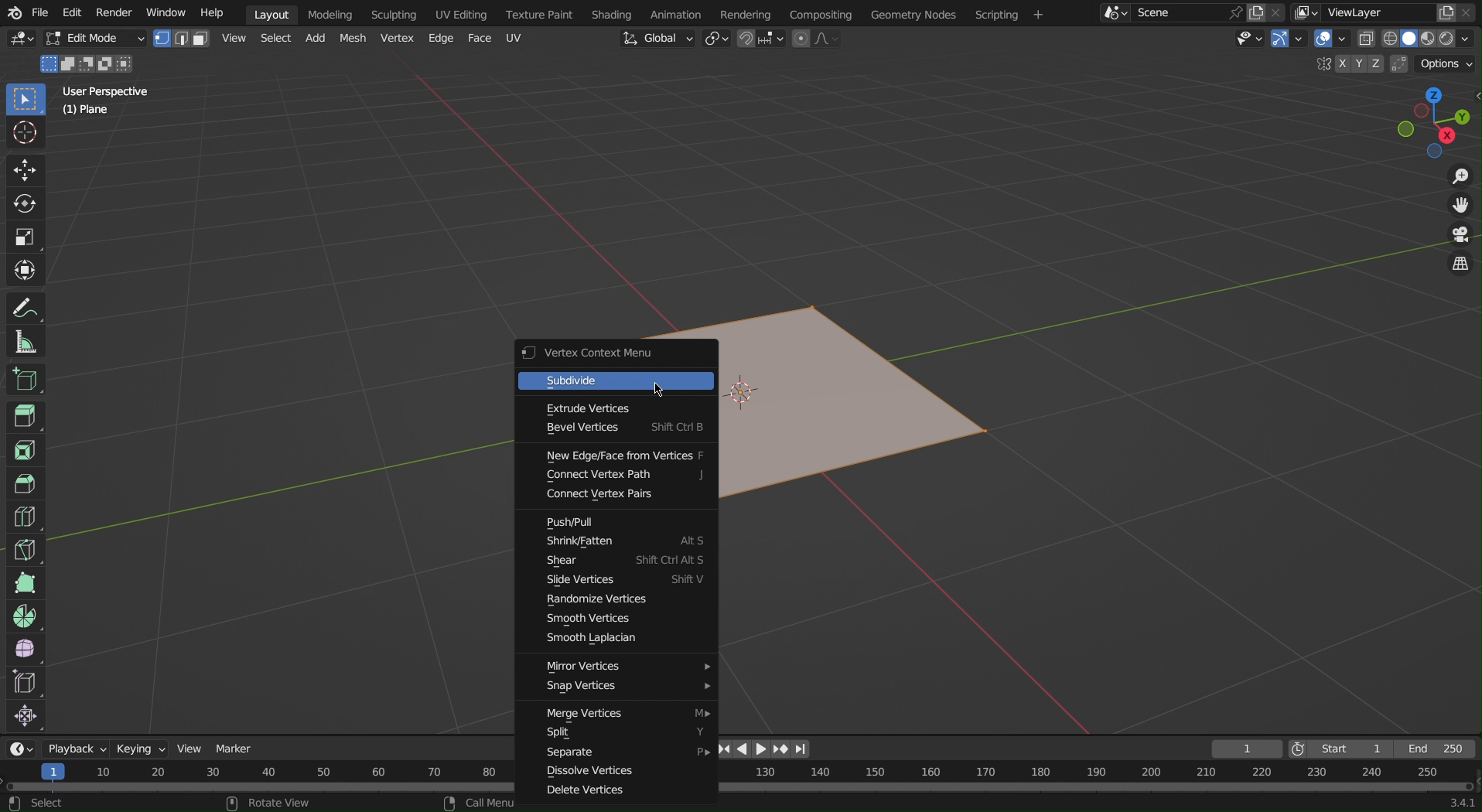  Describe the element at coordinates (1361, 12) in the screenshot. I see `View Layer` at that location.